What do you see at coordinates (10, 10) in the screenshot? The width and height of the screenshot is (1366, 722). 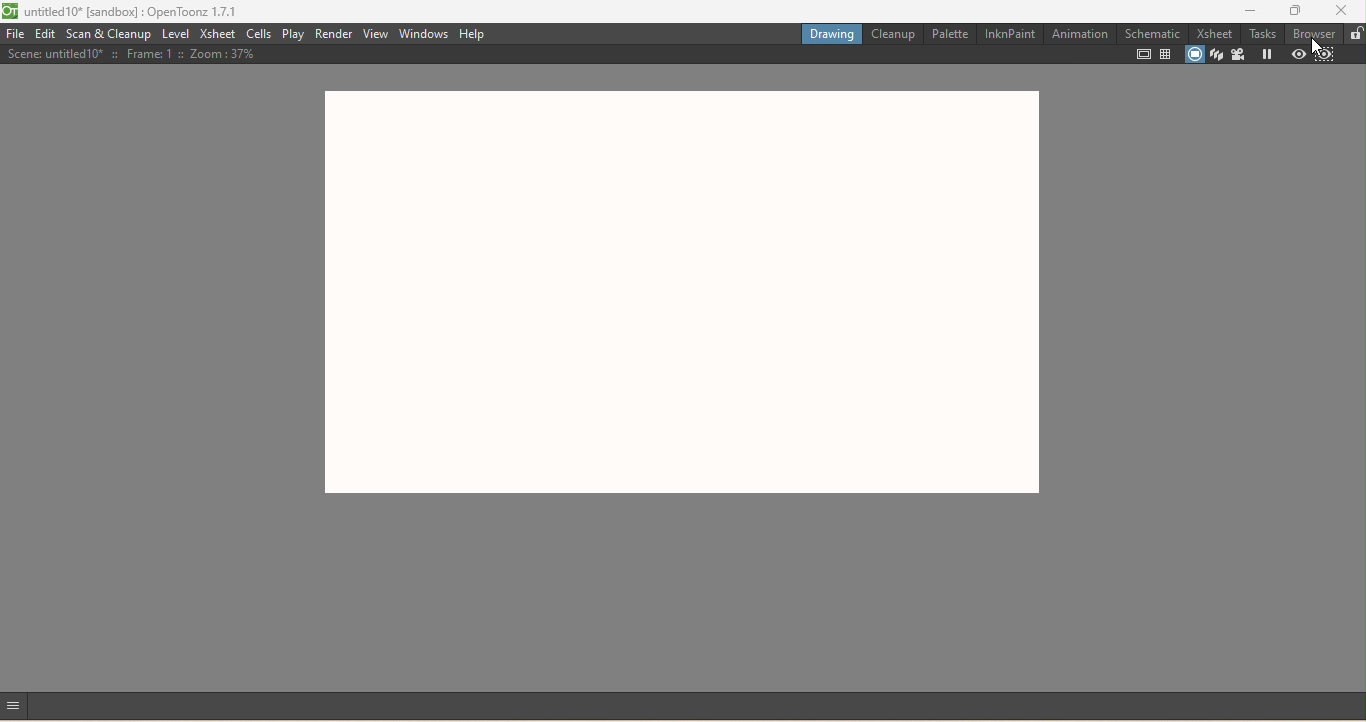 I see `logo` at bounding box center [10, 10].